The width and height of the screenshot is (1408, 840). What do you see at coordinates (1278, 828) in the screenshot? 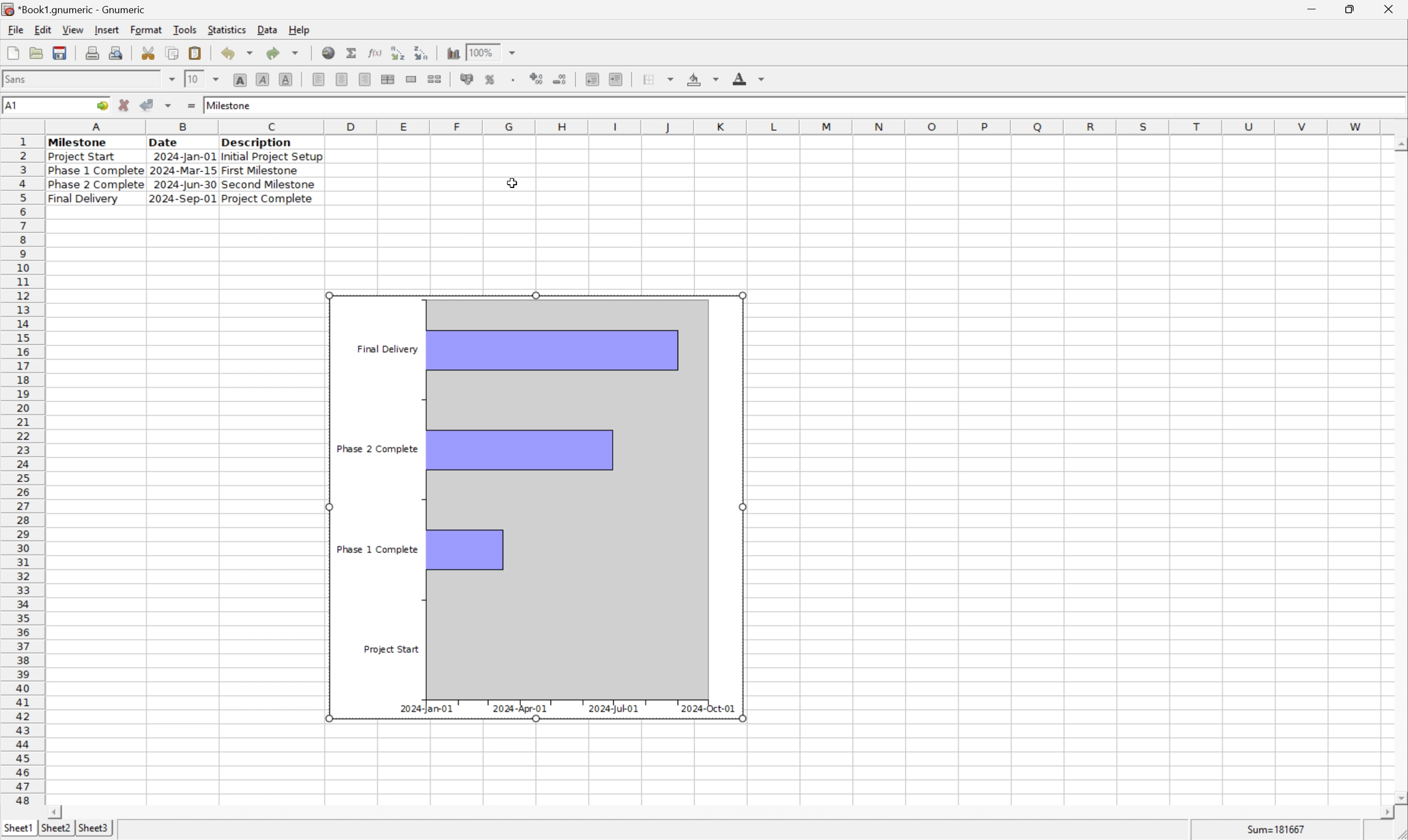
I see `Sum=181667` at bounding box center [1278, 828].